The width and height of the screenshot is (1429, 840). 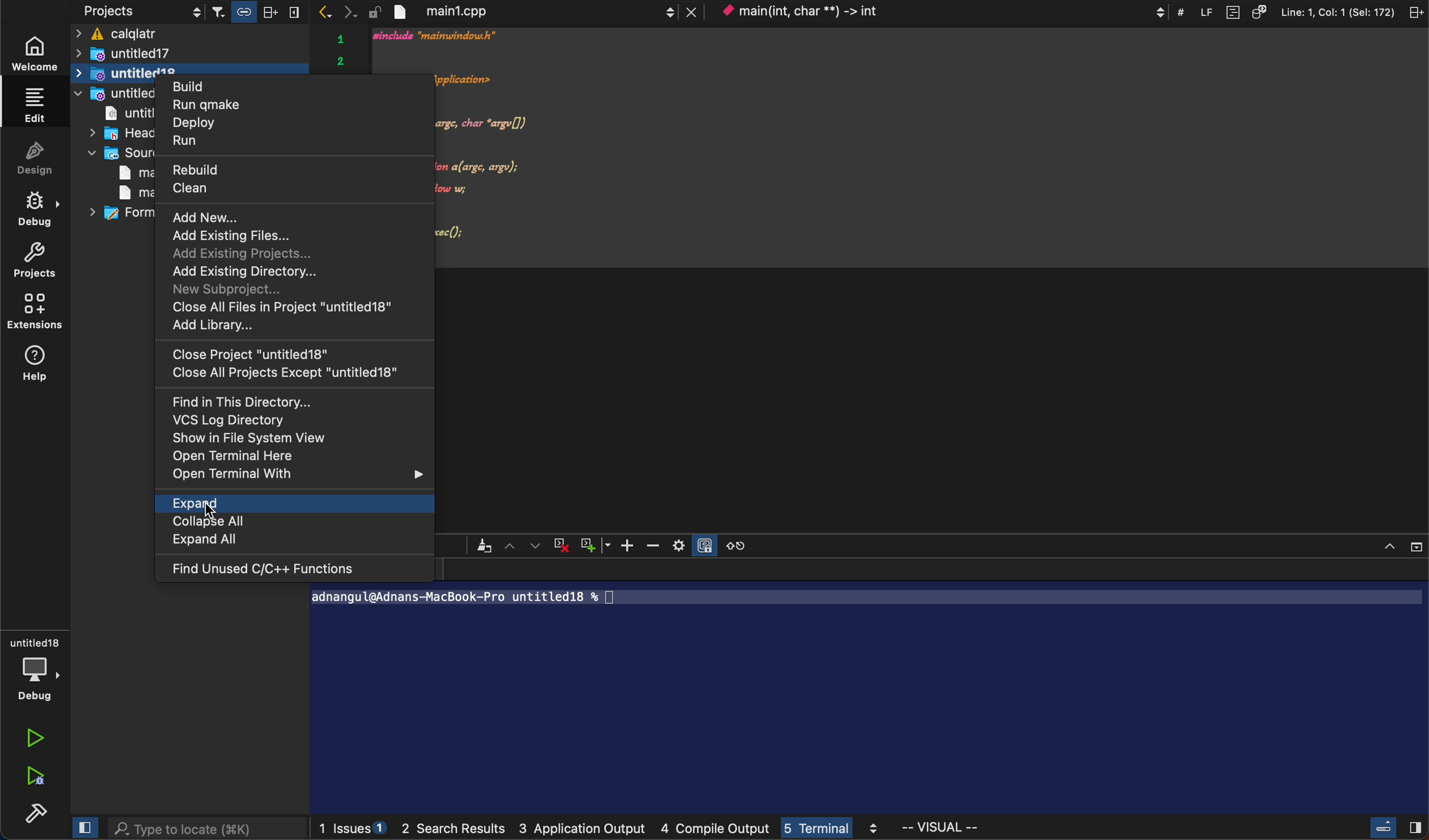 What do you see at coordinates (211, 325) in the screenshot?
I see `add library` at bounding box center [211, 325].